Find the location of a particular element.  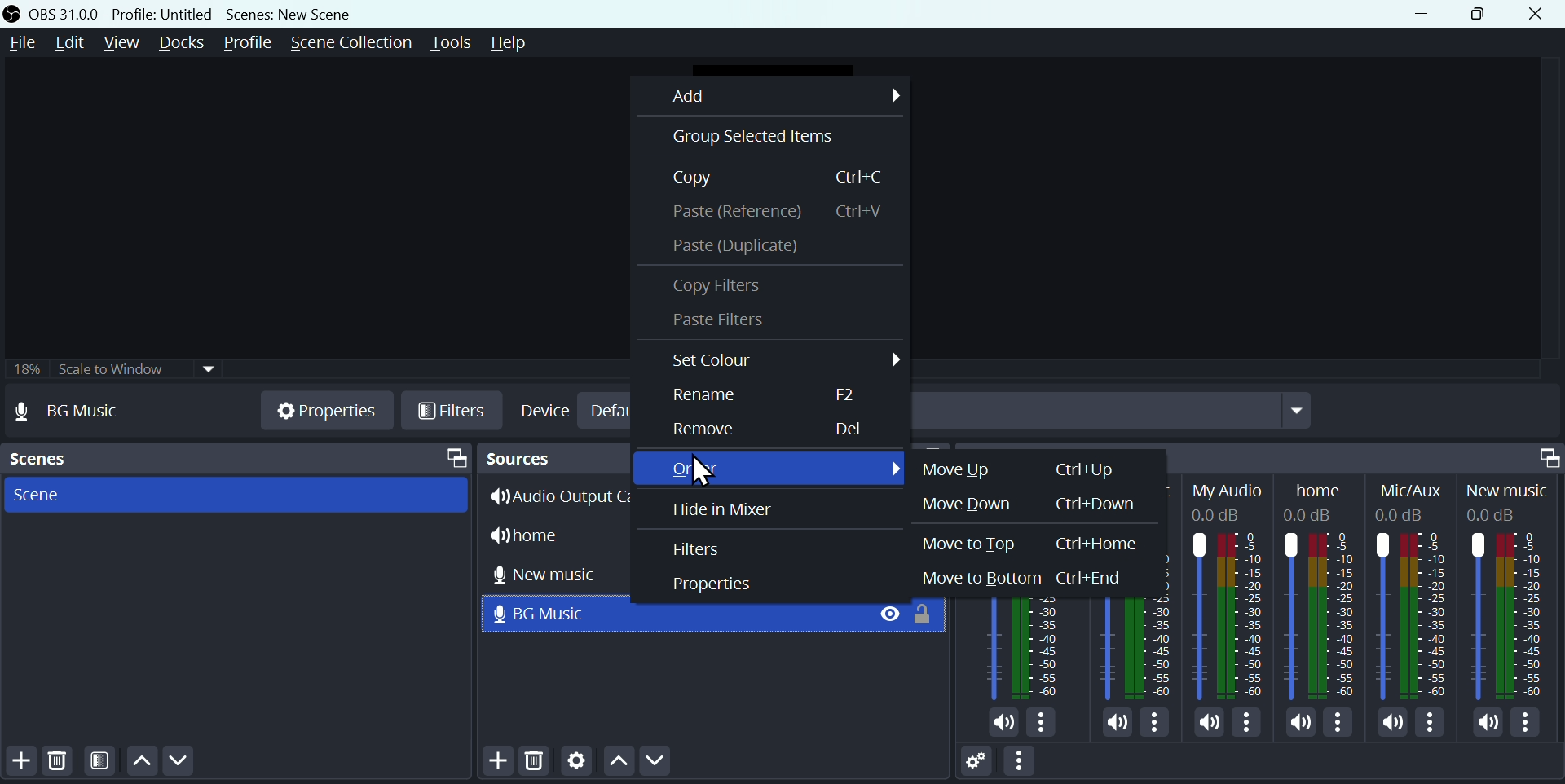

18% is located at coordinates (26, 368).